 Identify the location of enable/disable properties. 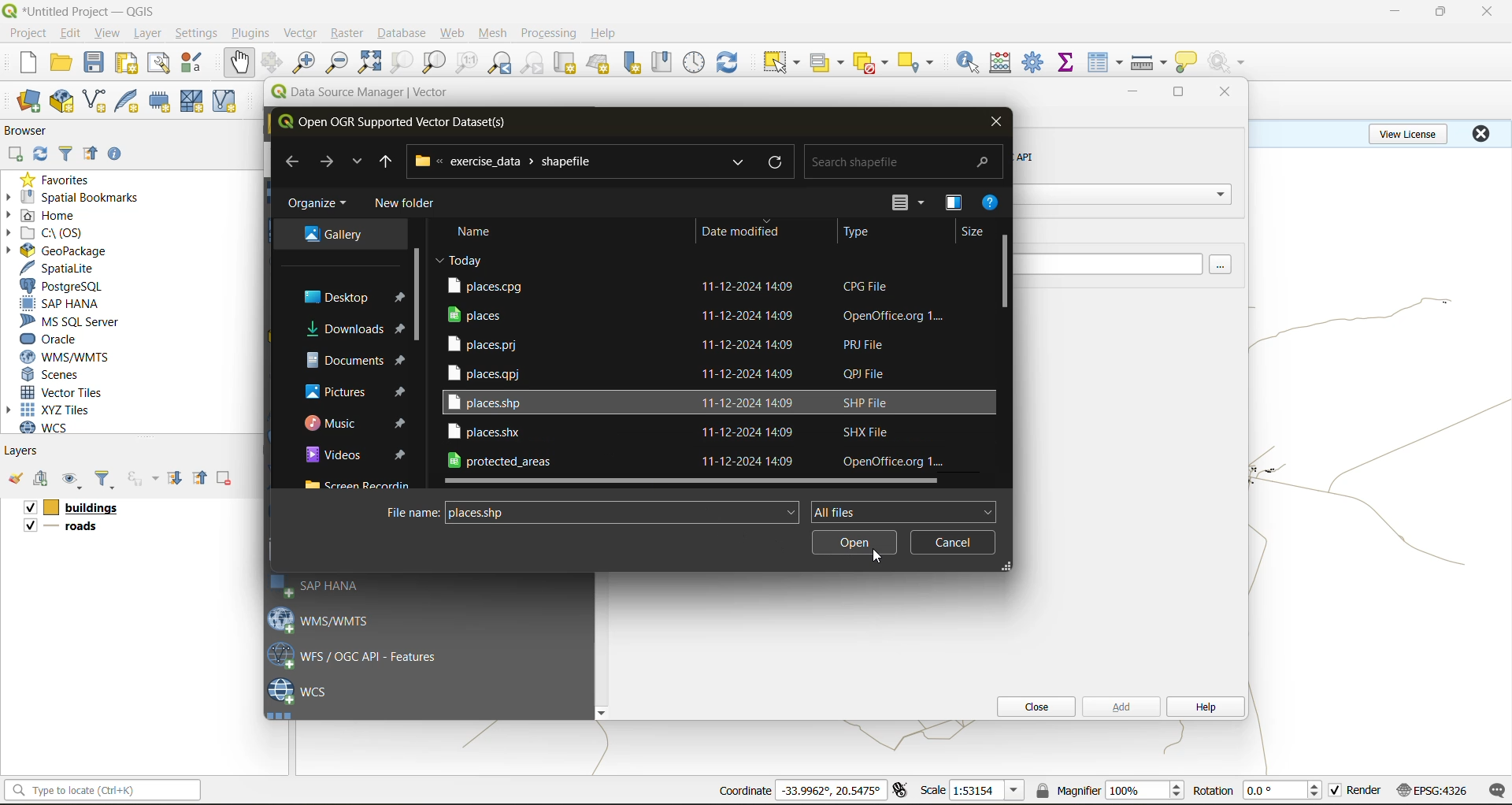
(119, 158).